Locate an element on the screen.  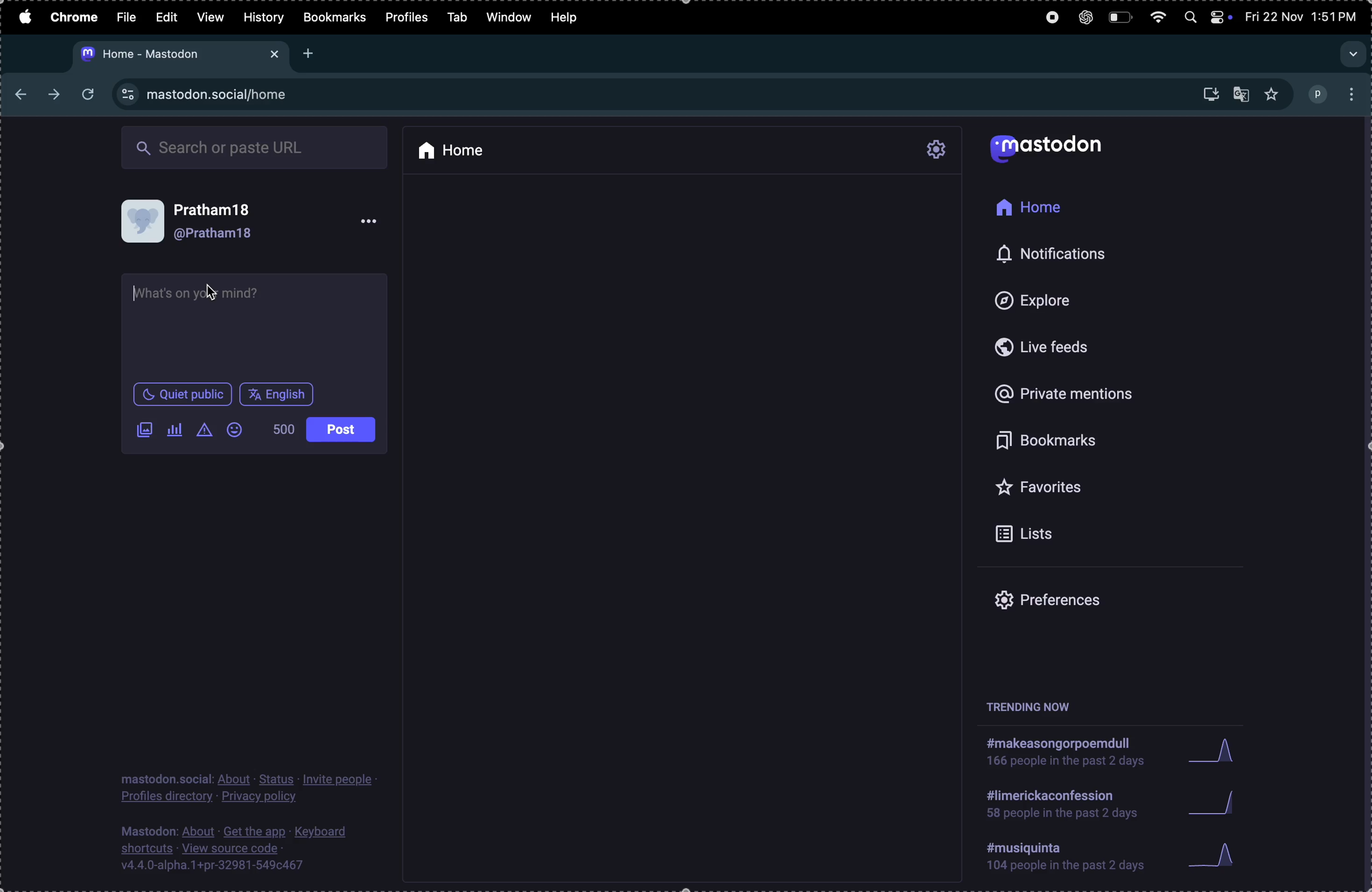
private mentions is located at coordinates (1071, 388).